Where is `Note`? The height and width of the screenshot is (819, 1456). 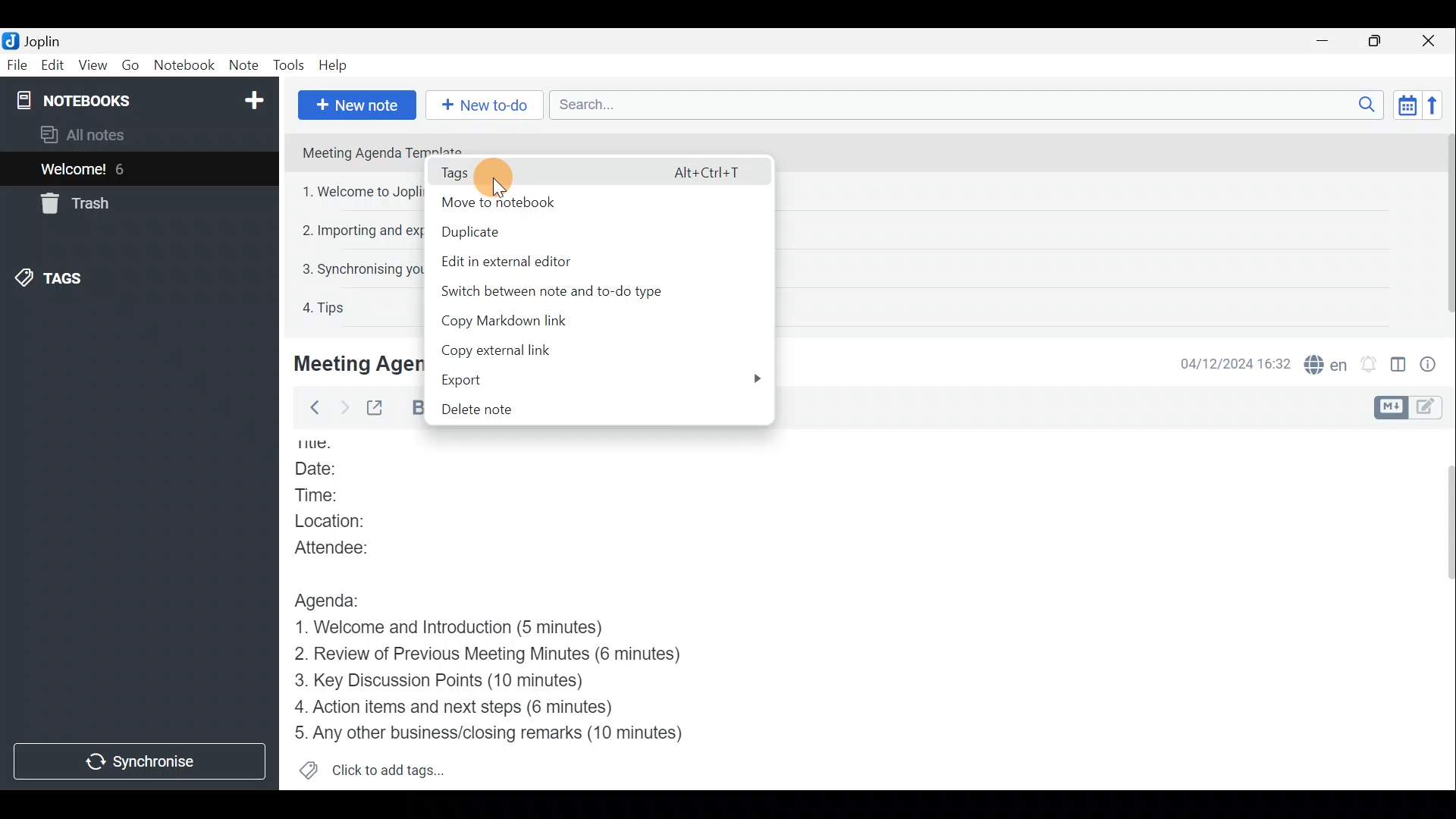
Note is located at coordinates (242, 62).